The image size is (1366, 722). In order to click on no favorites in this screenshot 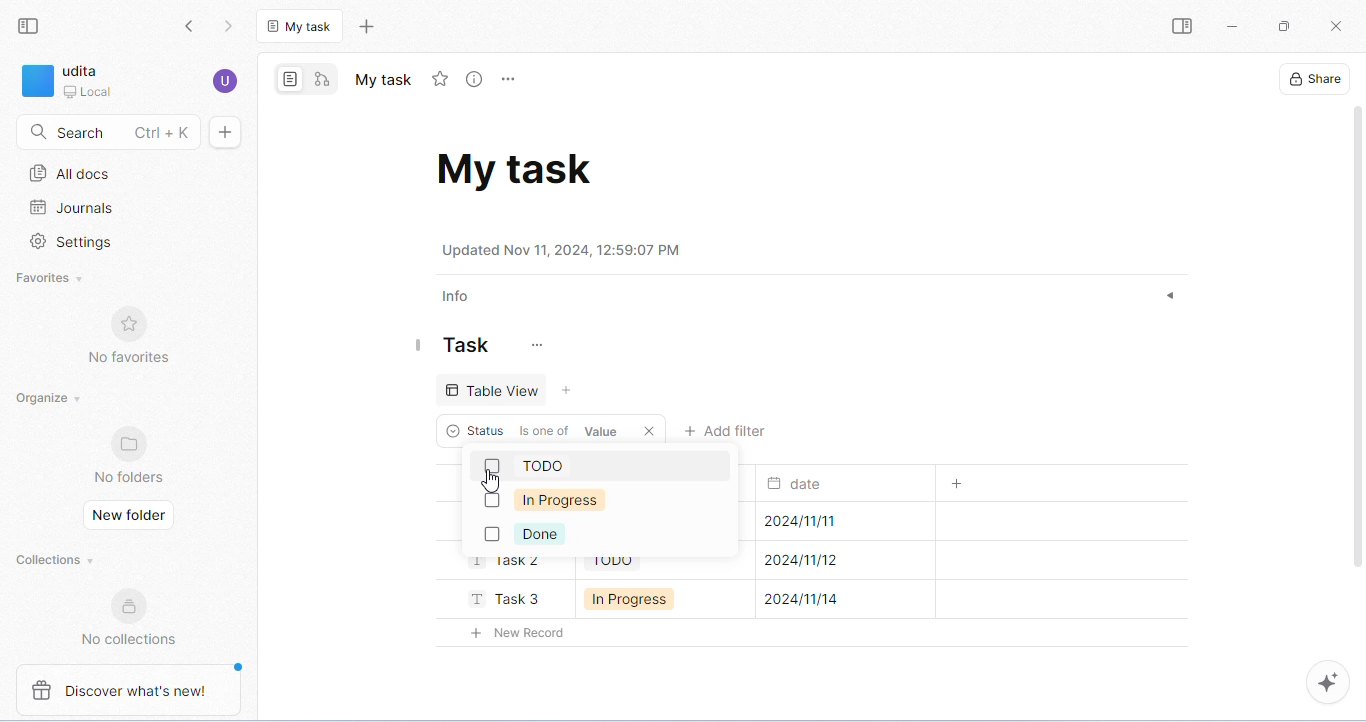, I will do `click(127, 359)`.